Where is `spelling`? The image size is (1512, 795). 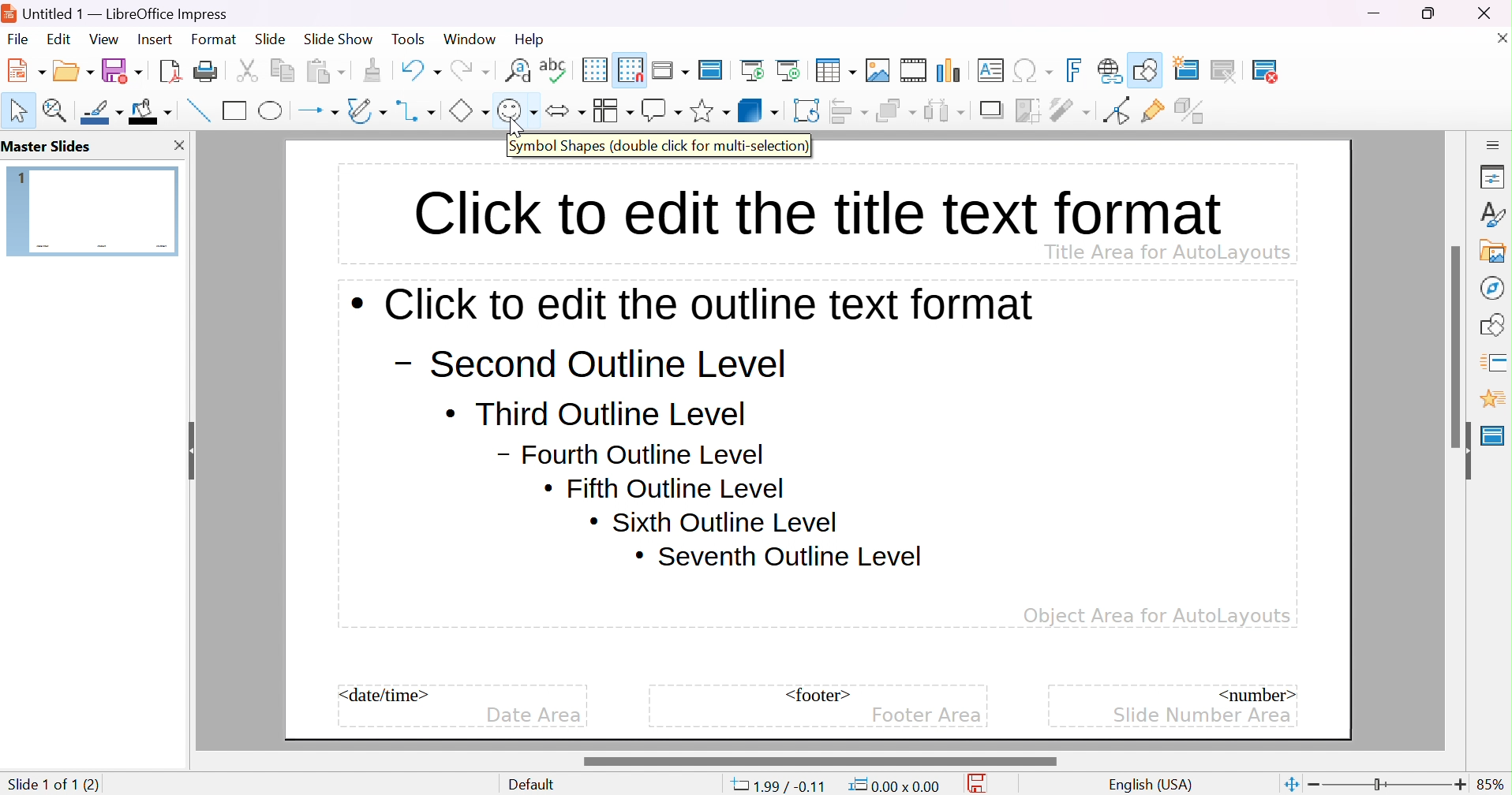 spelling is located at coordinates (553, 66).